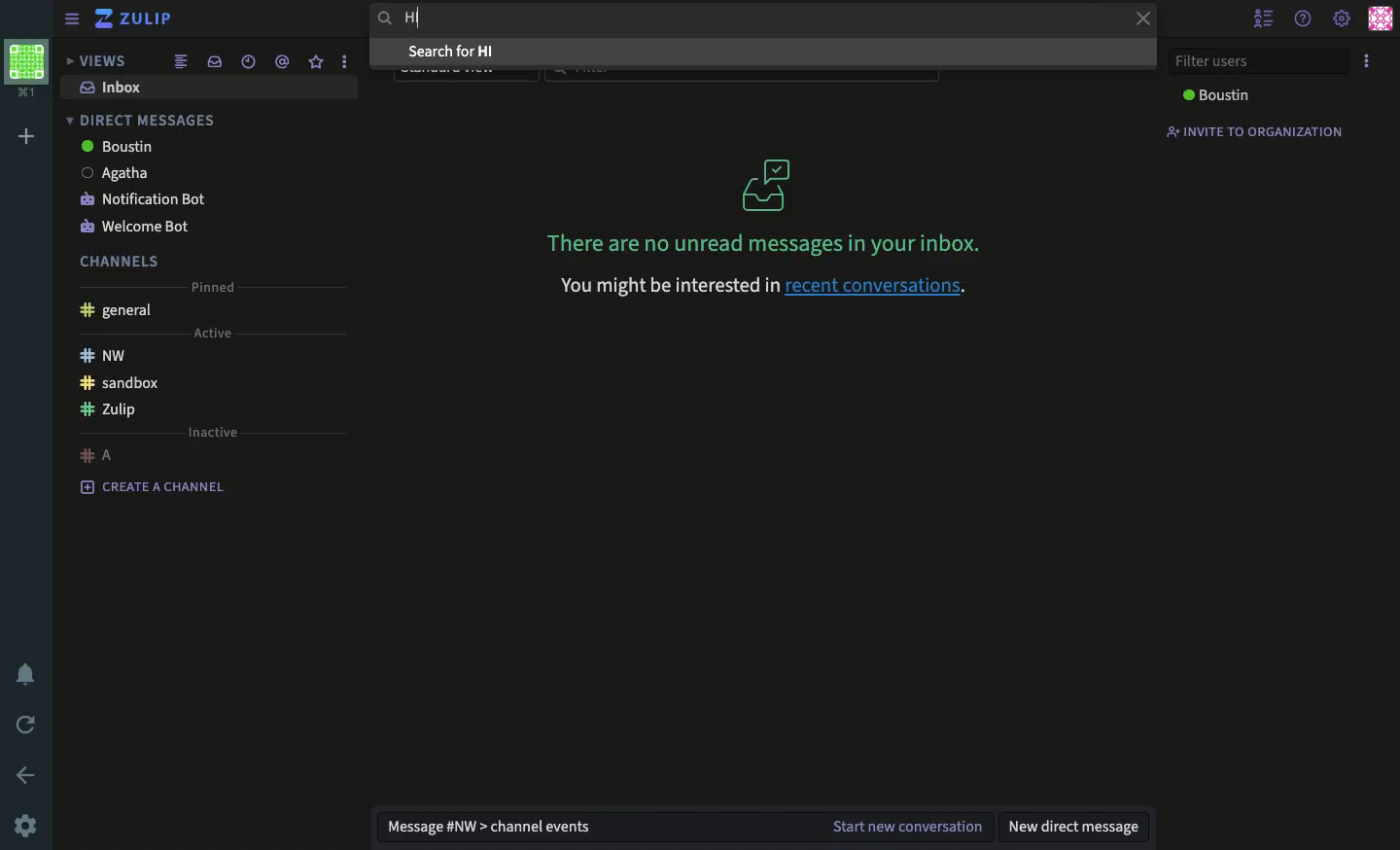 Image resolution: width=1400 pixels, height=850 pixels. I want to click on notification bot, so click(144, 201).